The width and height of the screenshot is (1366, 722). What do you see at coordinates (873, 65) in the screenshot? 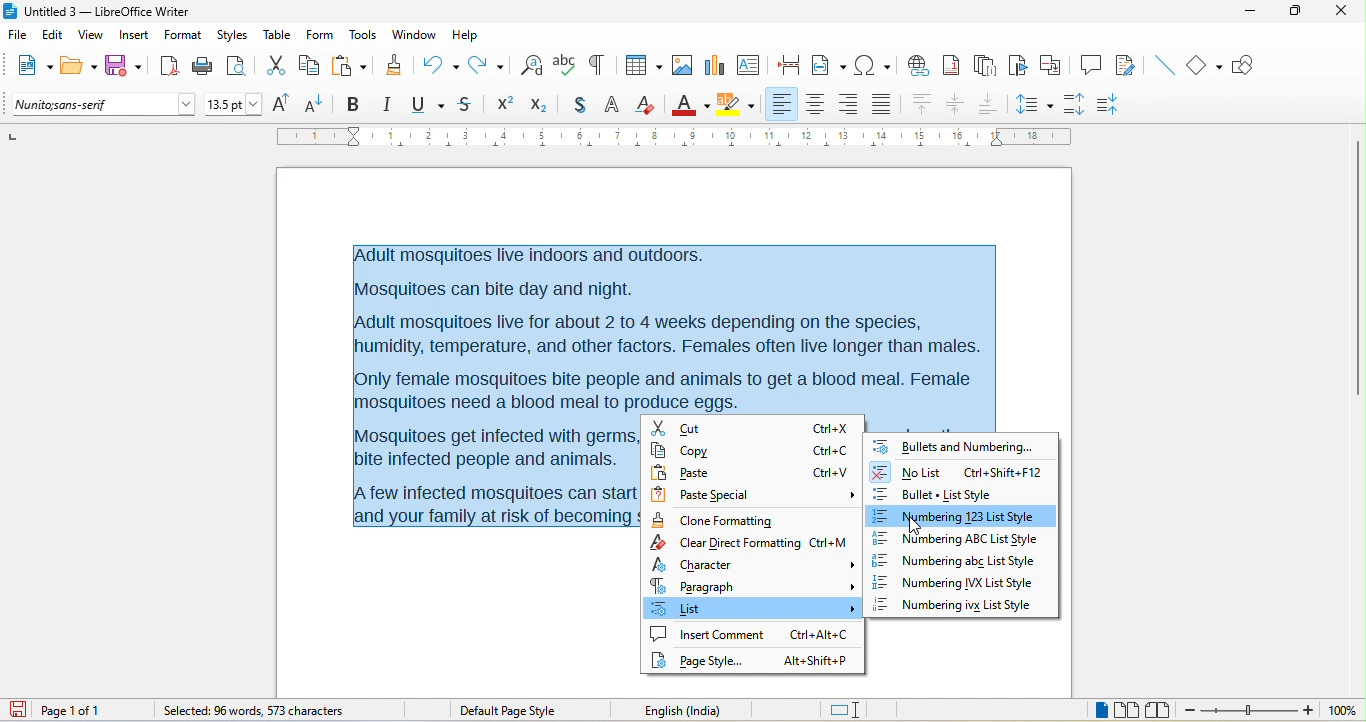
I see `special character` at bounding box center [873, 65].